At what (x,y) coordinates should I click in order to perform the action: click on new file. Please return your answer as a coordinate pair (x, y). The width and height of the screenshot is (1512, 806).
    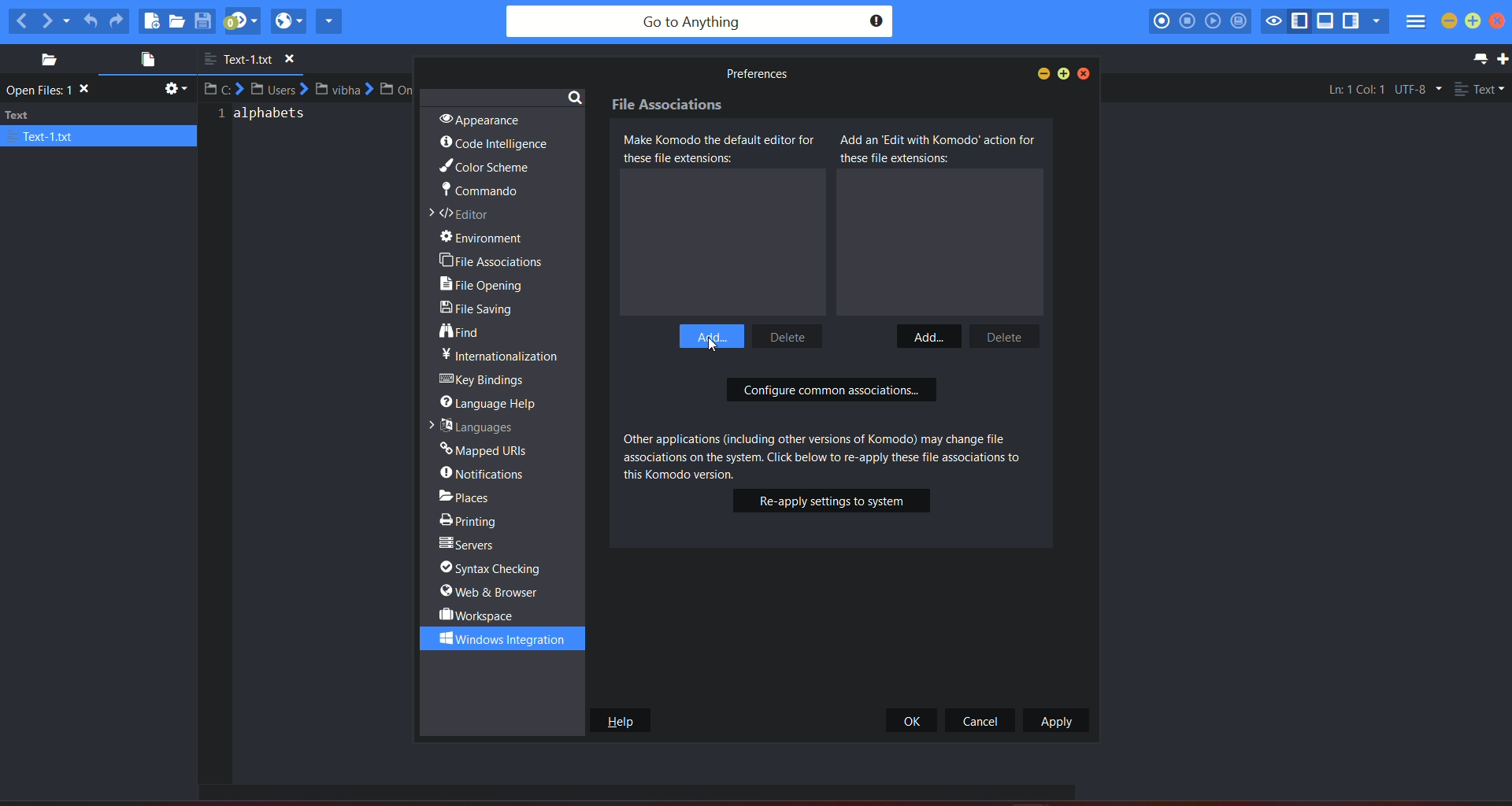
    Looking at the image, I should click on (151, 20).